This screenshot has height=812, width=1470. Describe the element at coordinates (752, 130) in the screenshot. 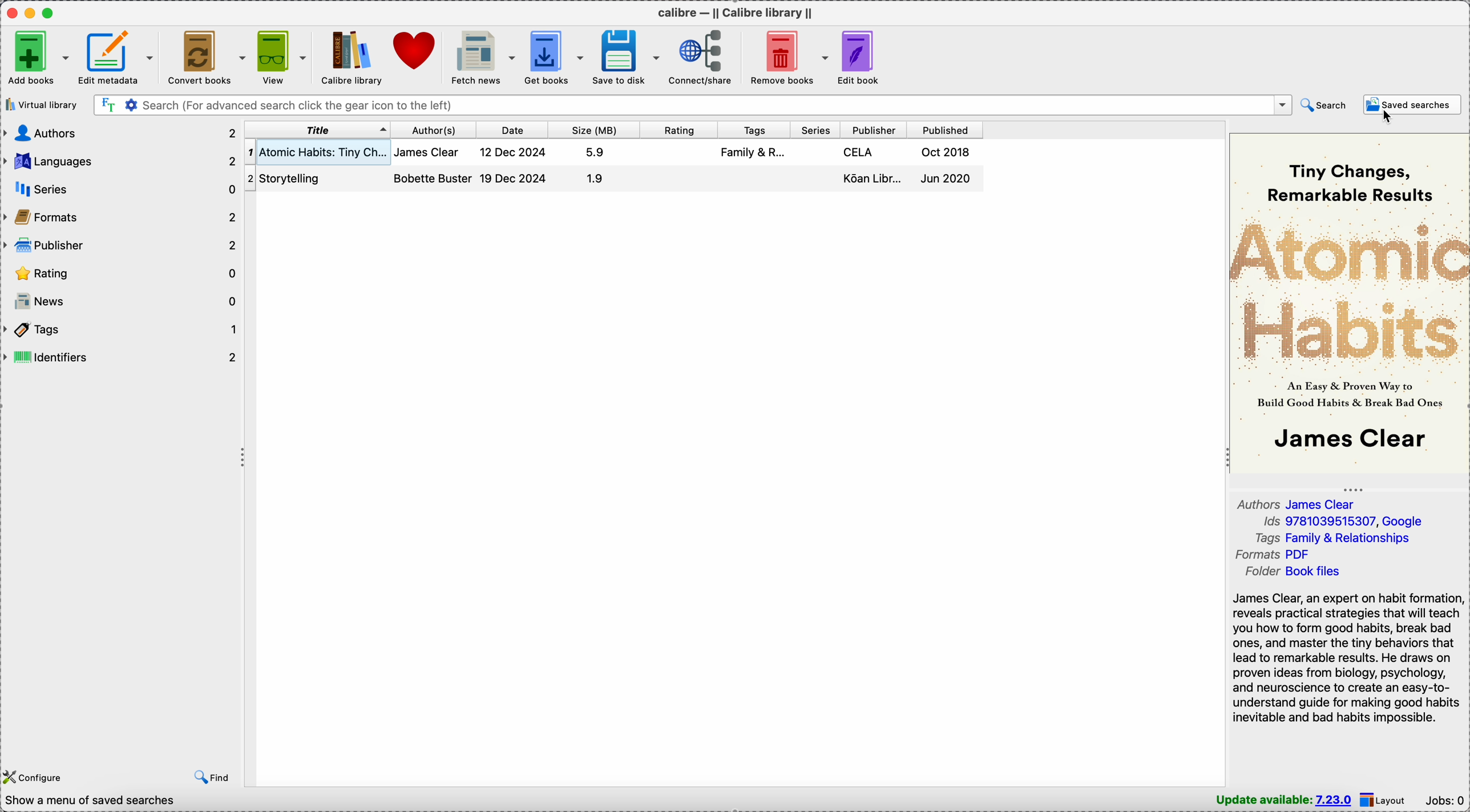

I see `tags` at that location.